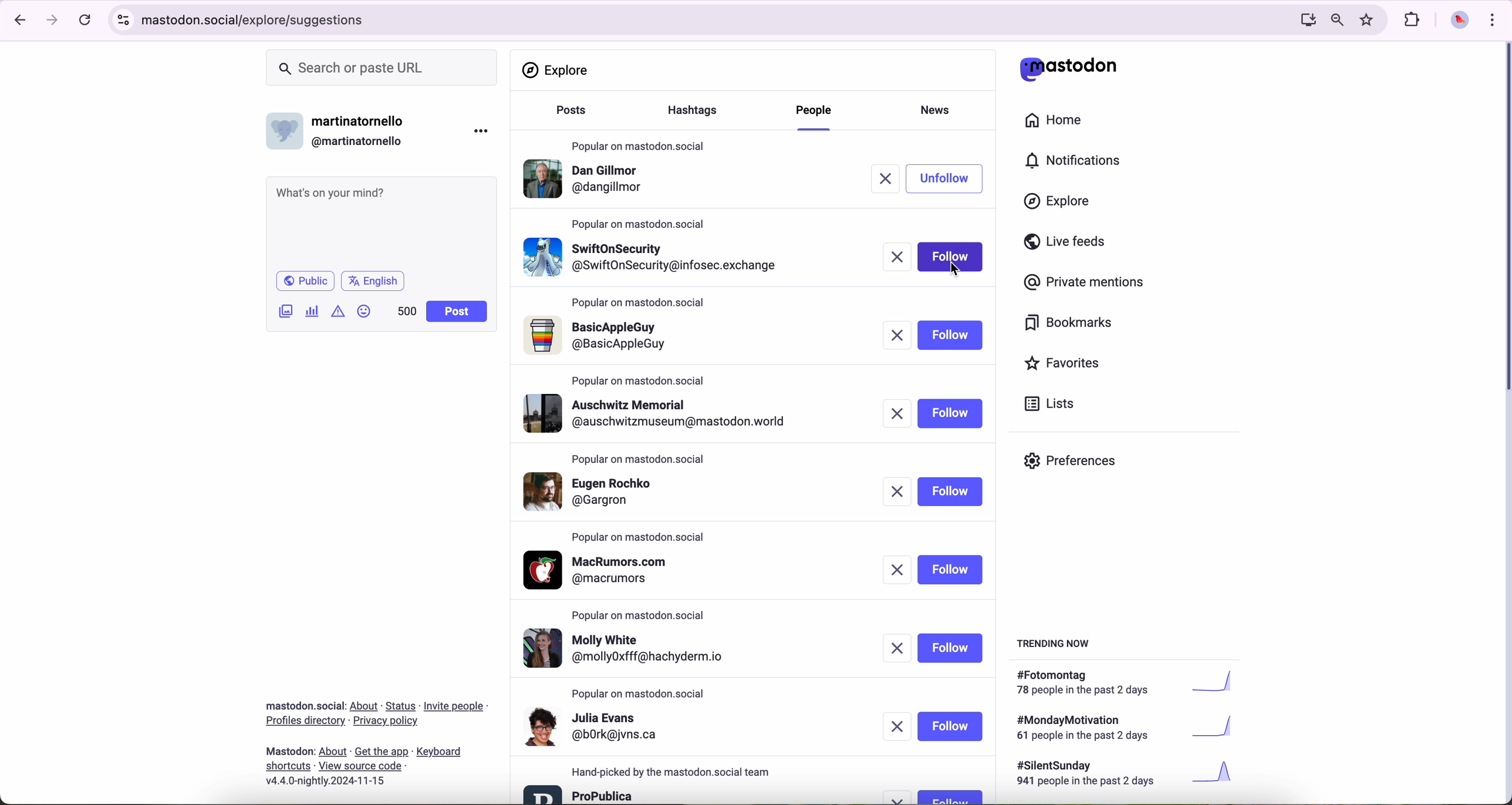 The width and height of the screenshot is (1512, 805). What do you see at coordinates (124, 20) in the screenshot?
I see `controls` at bounding box center [124, 20].